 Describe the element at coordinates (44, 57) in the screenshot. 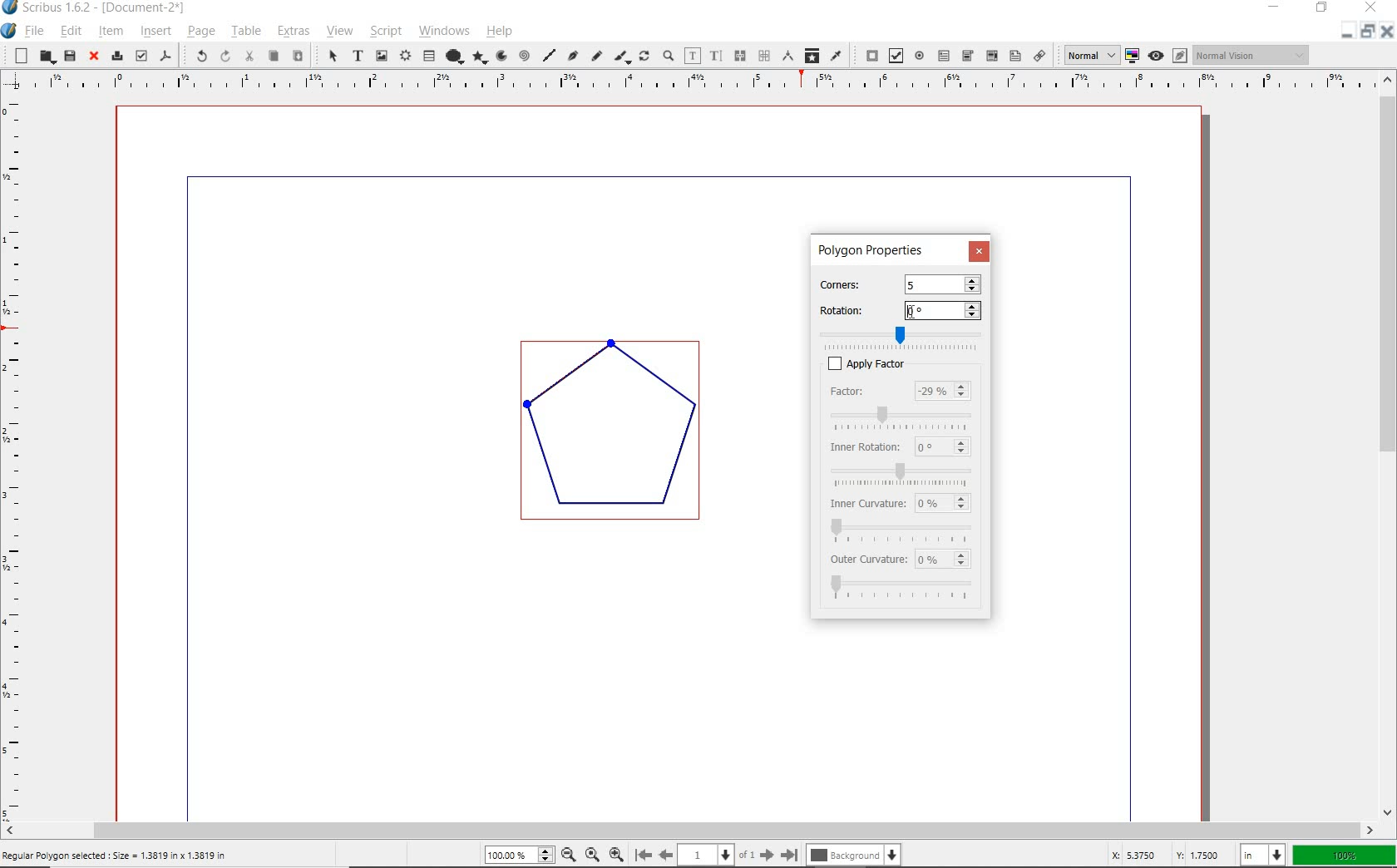

I see `open` at that location.